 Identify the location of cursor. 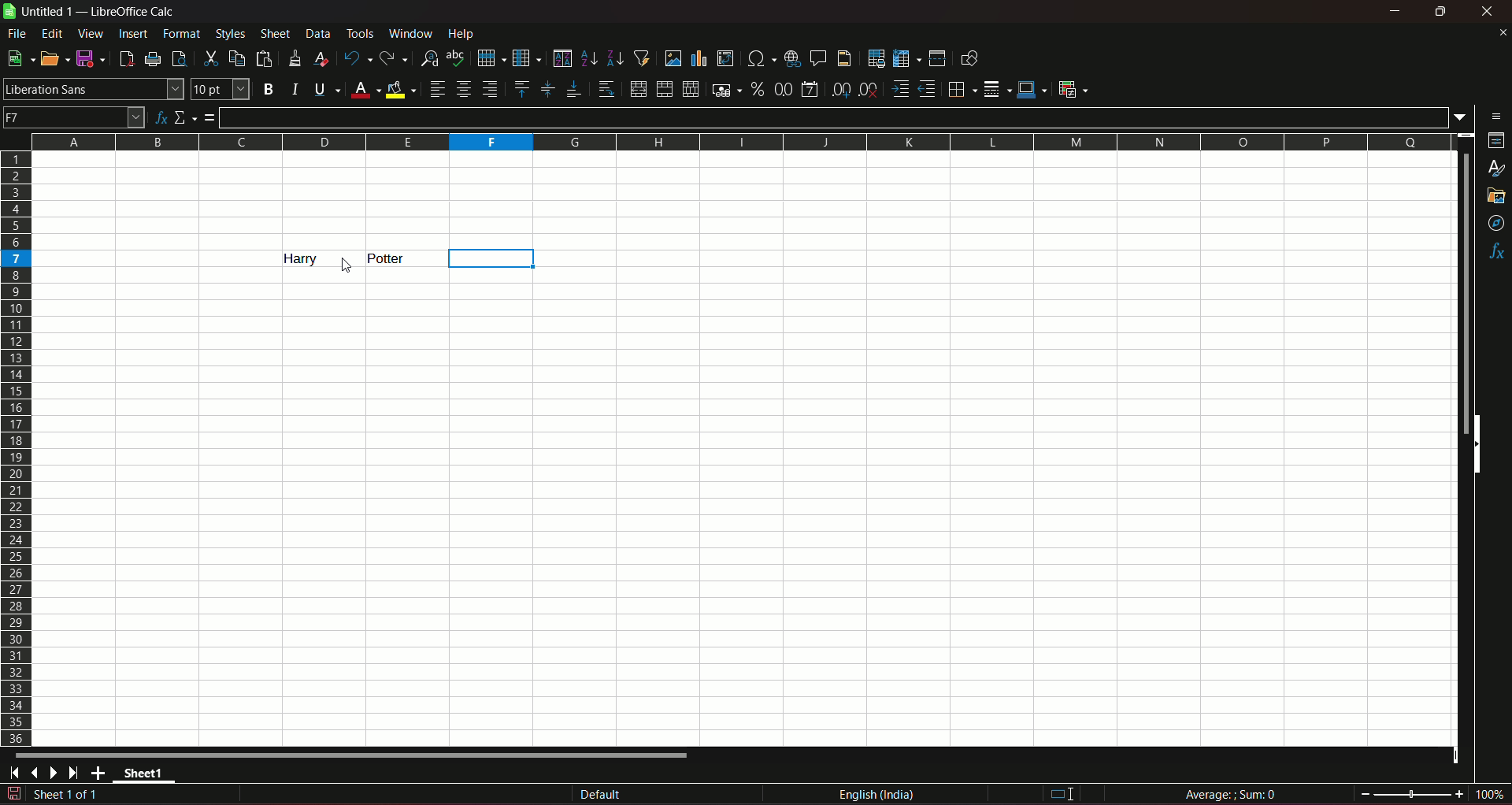
(346, 266).